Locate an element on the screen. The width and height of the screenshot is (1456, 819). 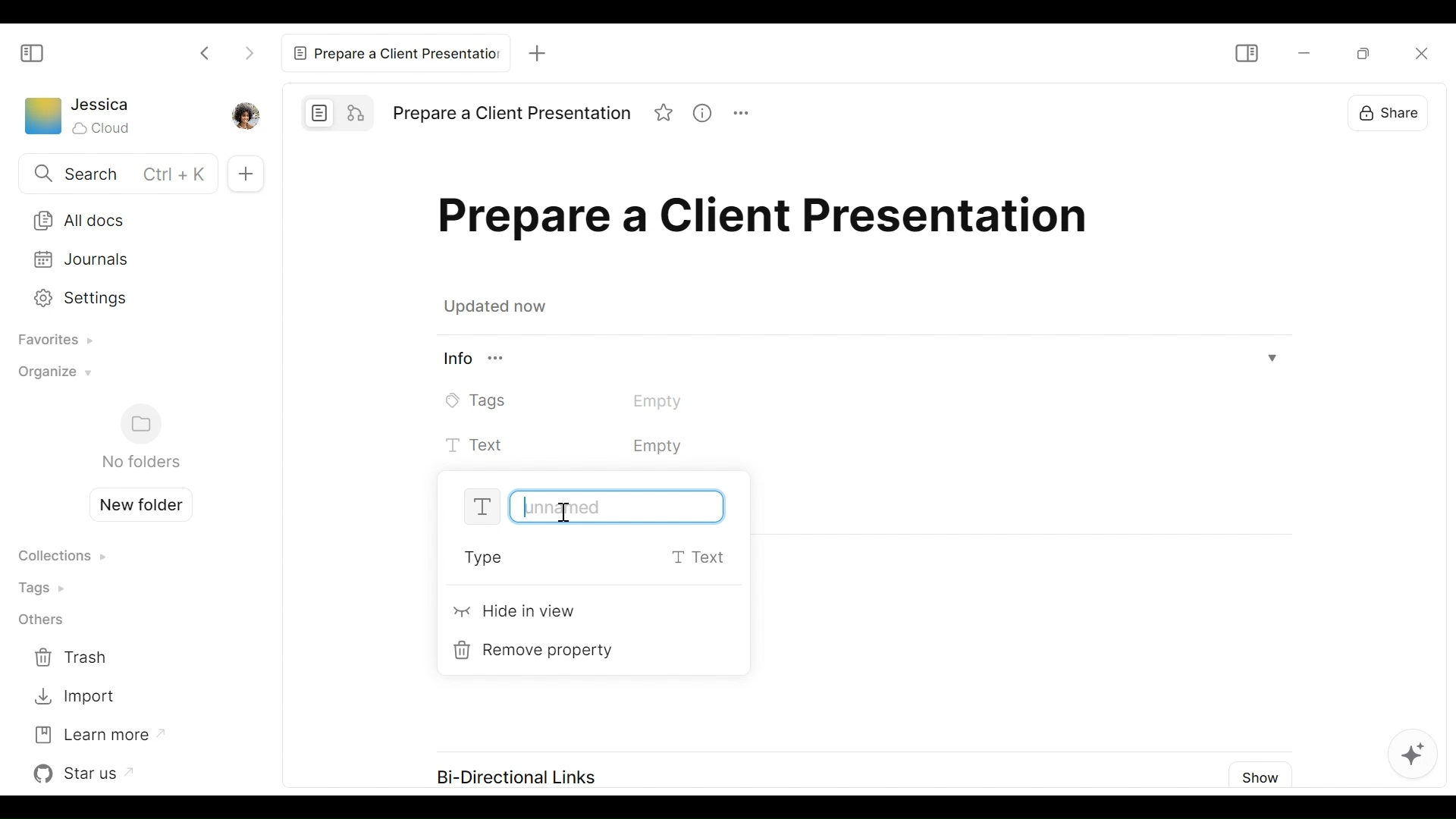
Favorite is located at coordinates (665, 115).